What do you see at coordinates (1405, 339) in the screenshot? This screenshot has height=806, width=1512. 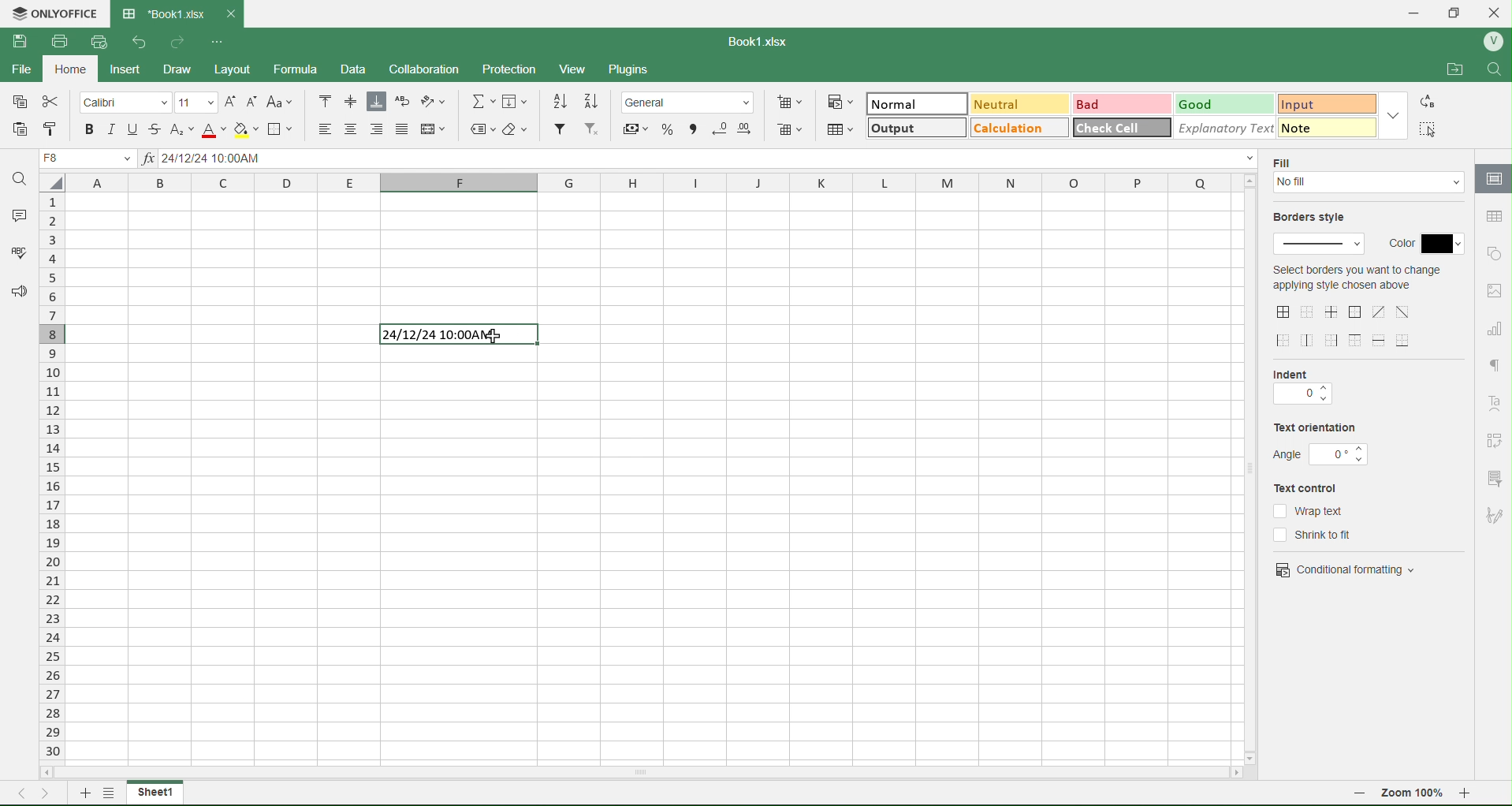 I see `bottom border` at bounding box center [1405, 339].